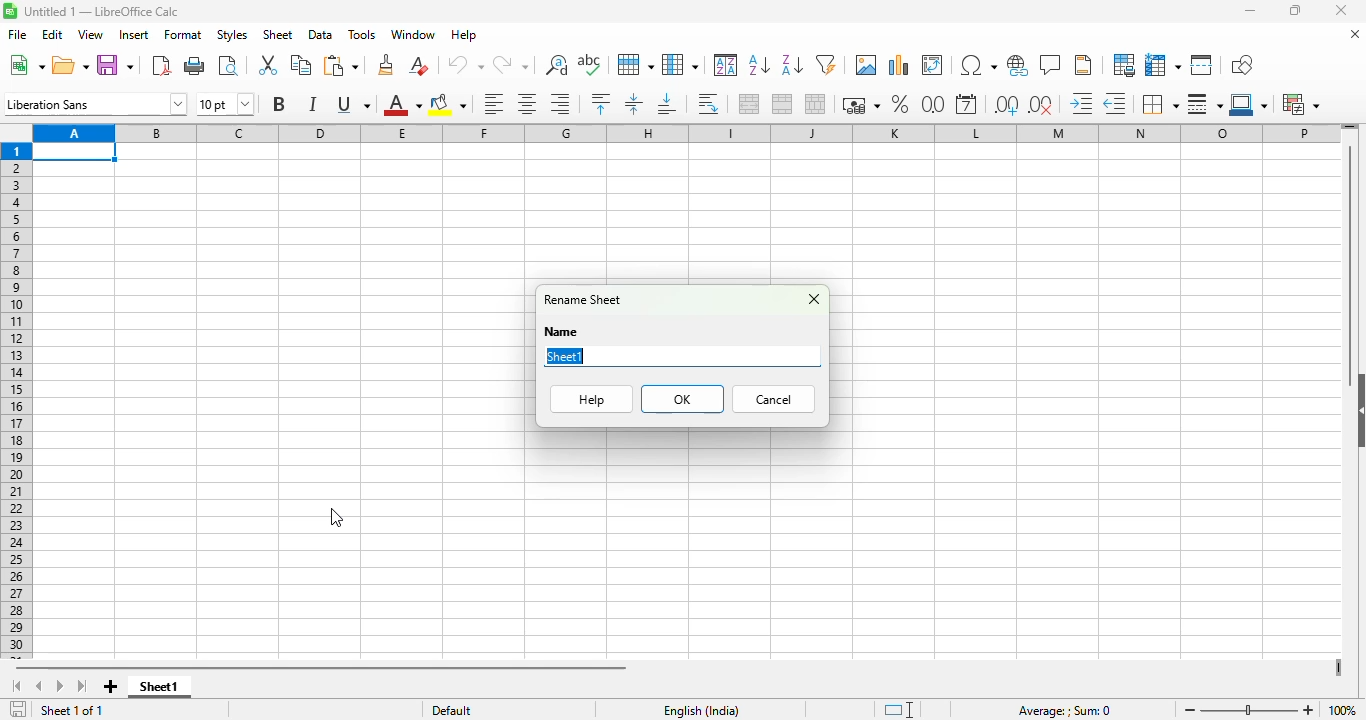  I want to click on cancel, so click(774, 399).